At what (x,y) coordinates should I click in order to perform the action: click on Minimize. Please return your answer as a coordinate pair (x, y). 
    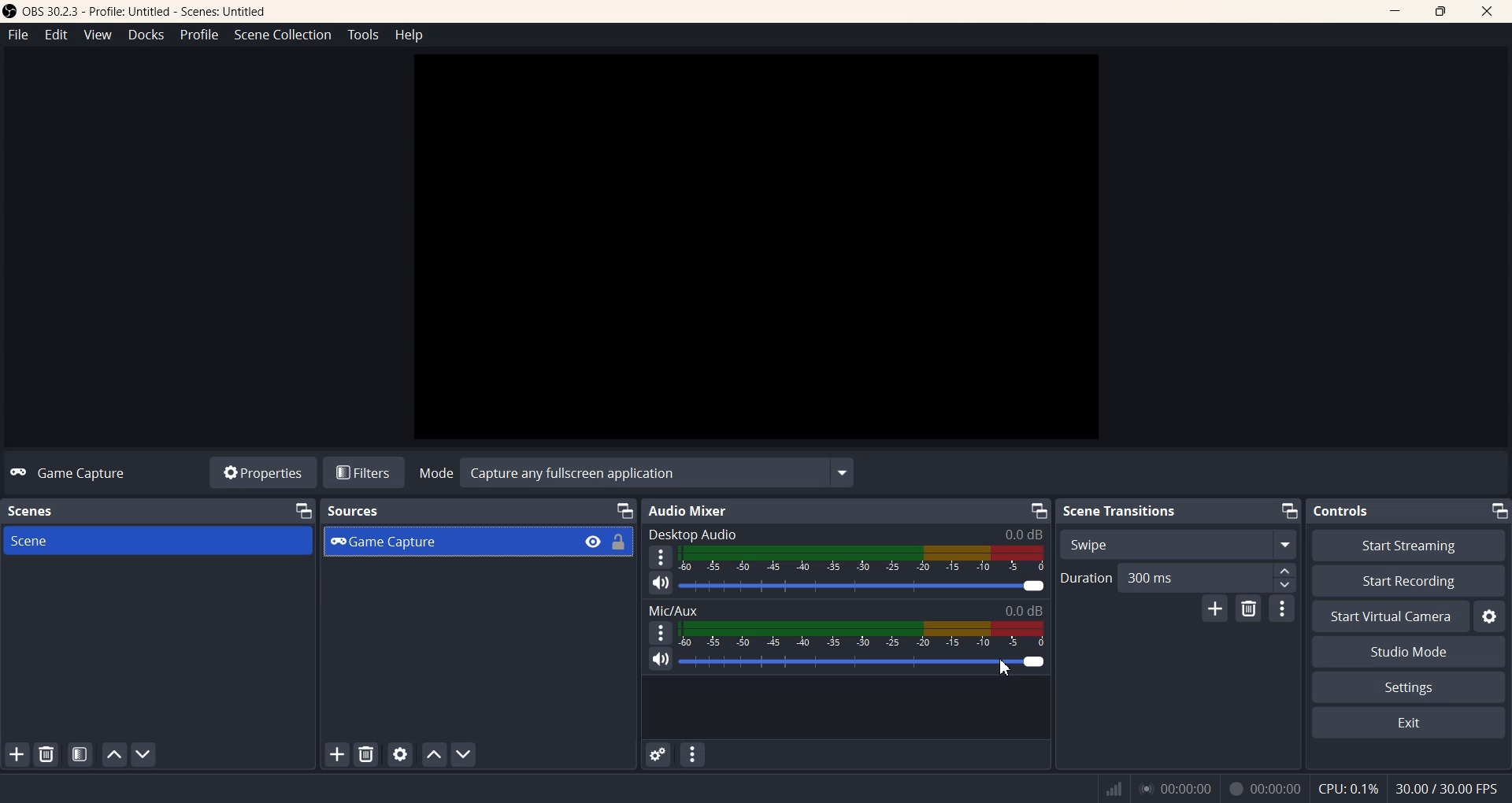
    Looking at the image, I should click on (624, 511).